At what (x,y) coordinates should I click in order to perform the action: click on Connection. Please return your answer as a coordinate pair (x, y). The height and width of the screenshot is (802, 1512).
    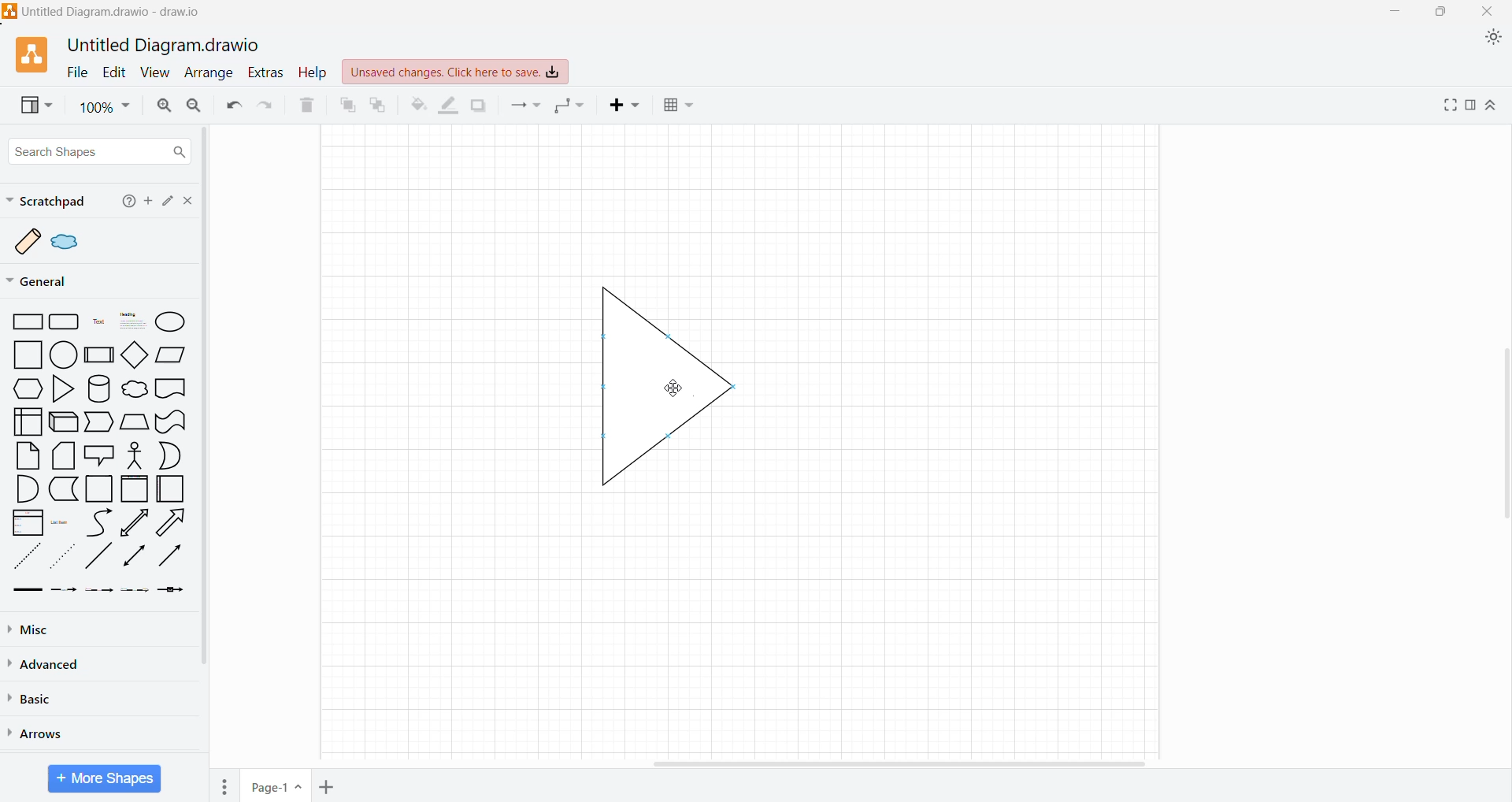
    Looking at the image, I should click on (527, 104).